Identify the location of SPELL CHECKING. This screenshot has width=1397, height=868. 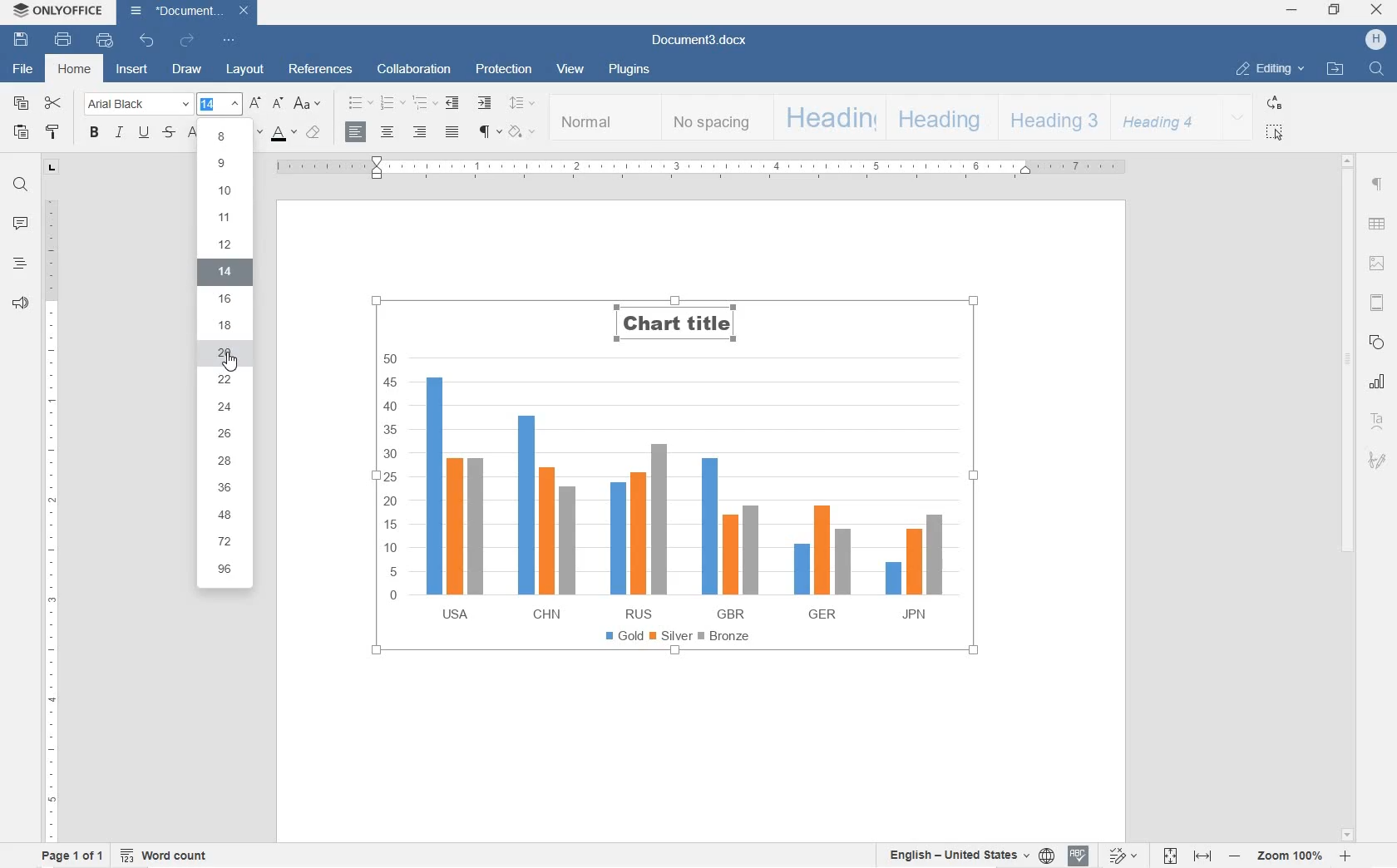
(1079, 856).